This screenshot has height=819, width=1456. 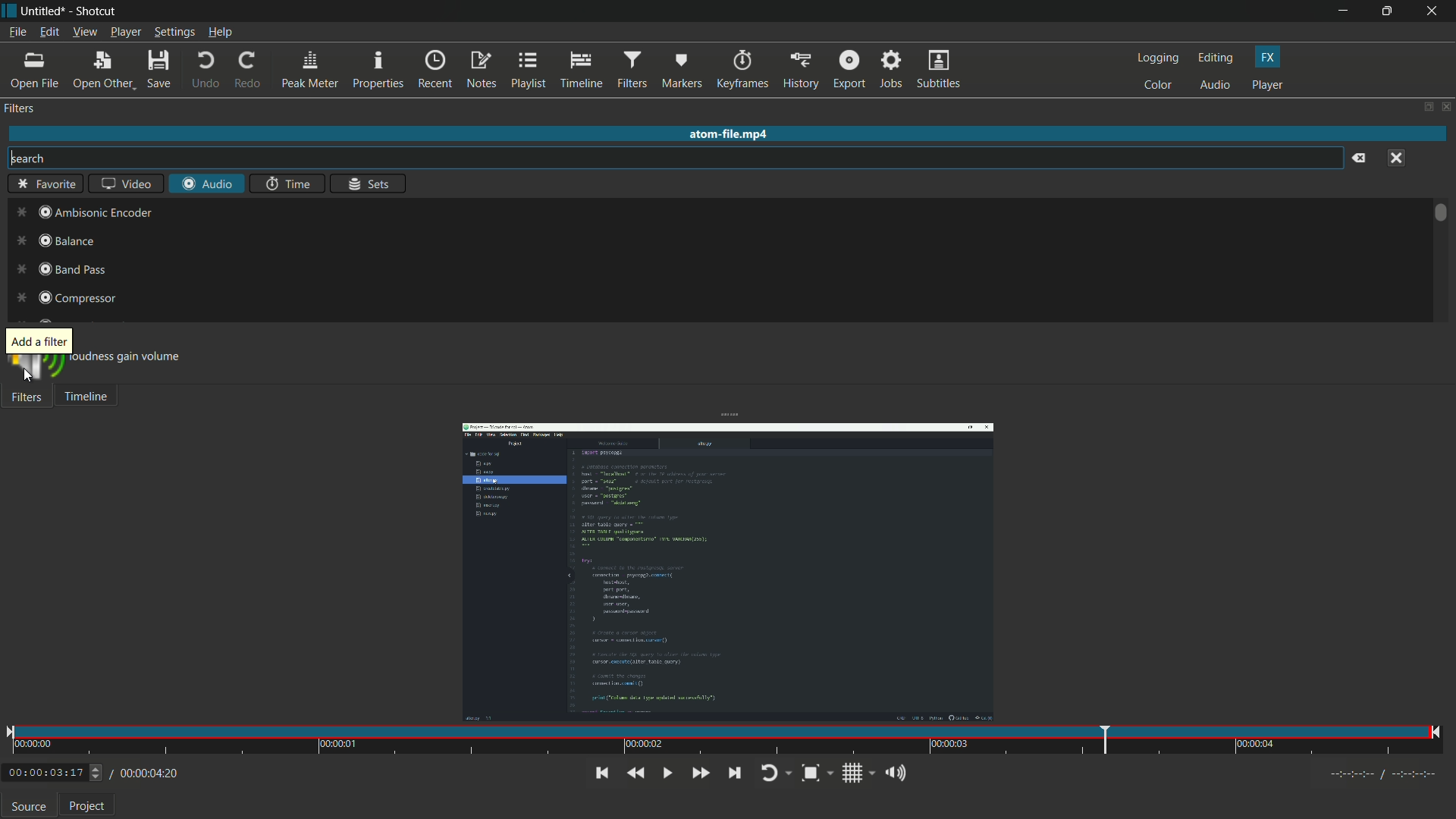 I want to click on filter, so click(x=20, y=108).